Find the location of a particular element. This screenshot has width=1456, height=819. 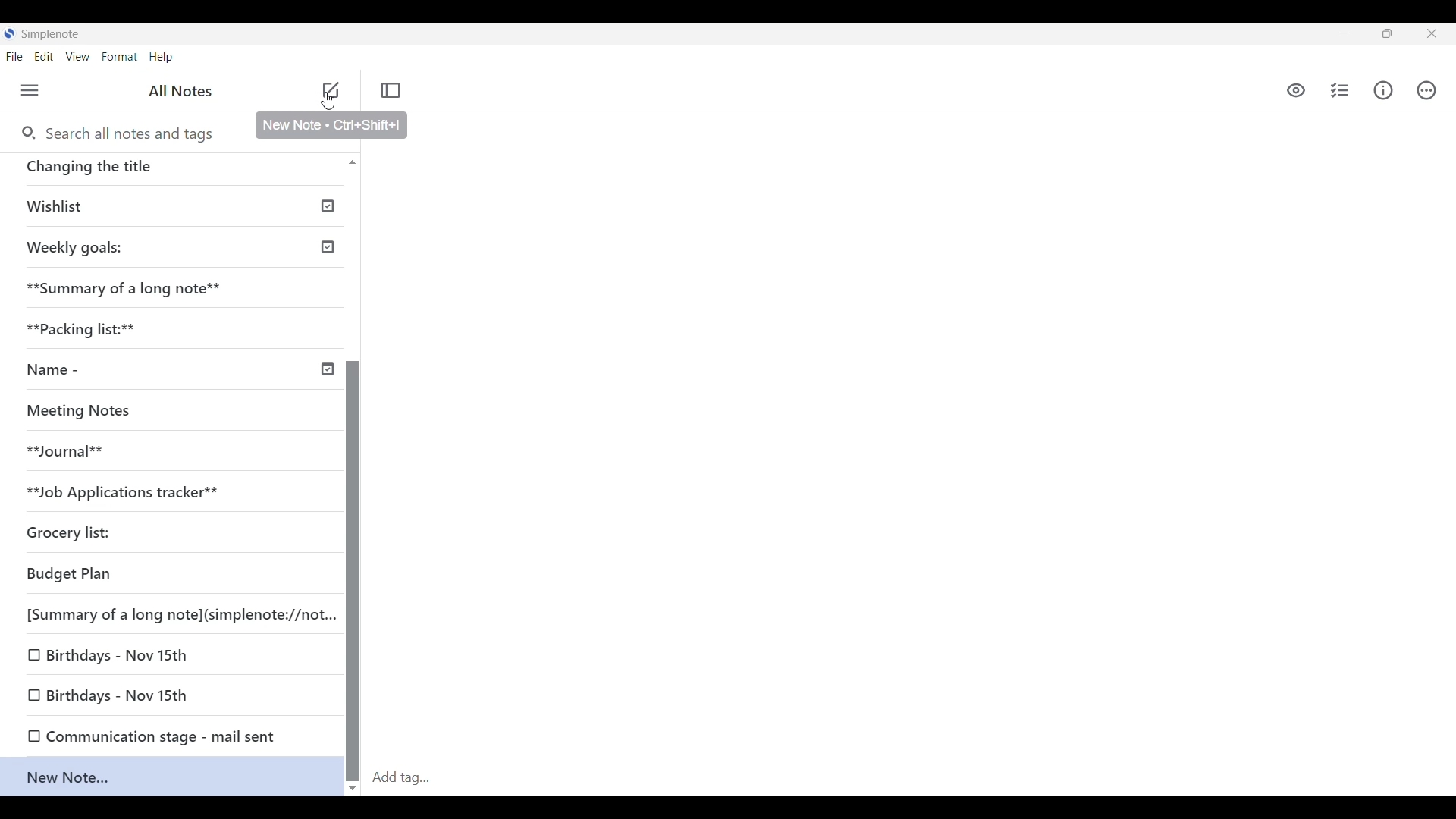

Preview markdown is located at coordinates (1296, 91).